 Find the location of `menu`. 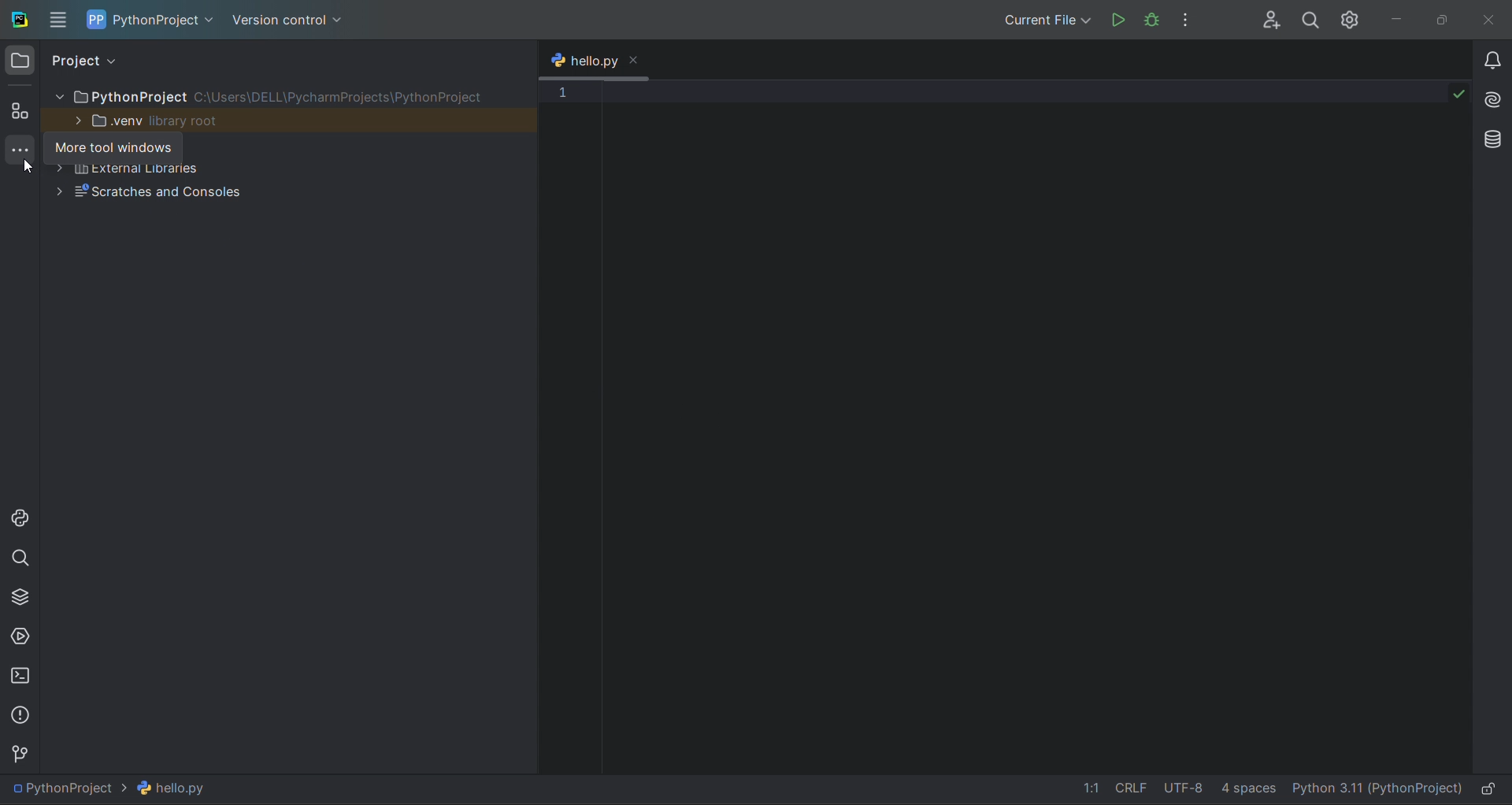

menu is located at coordinates (58, 20).